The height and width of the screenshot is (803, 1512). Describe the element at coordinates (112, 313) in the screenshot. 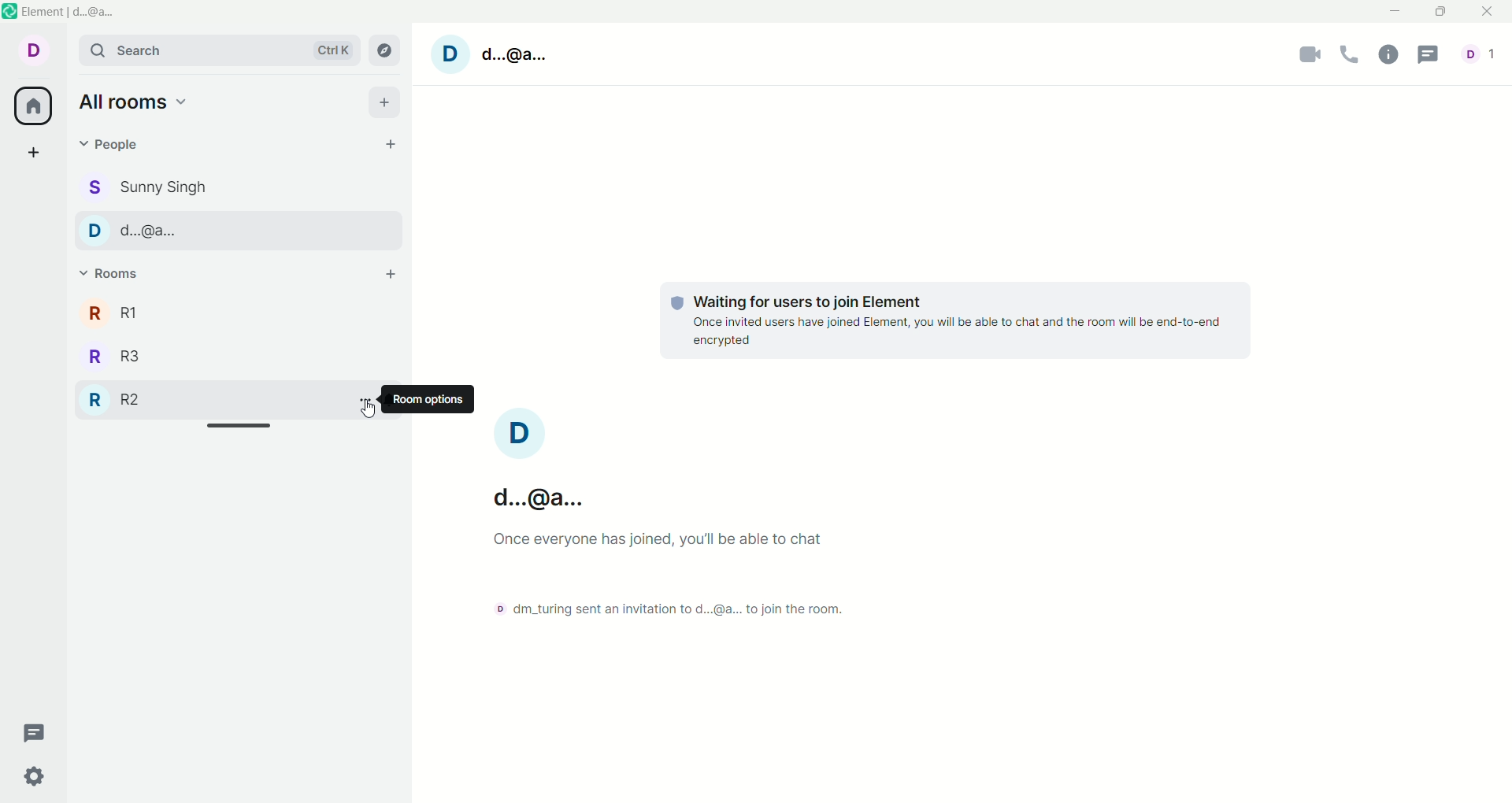

I see `room 1` at that location.